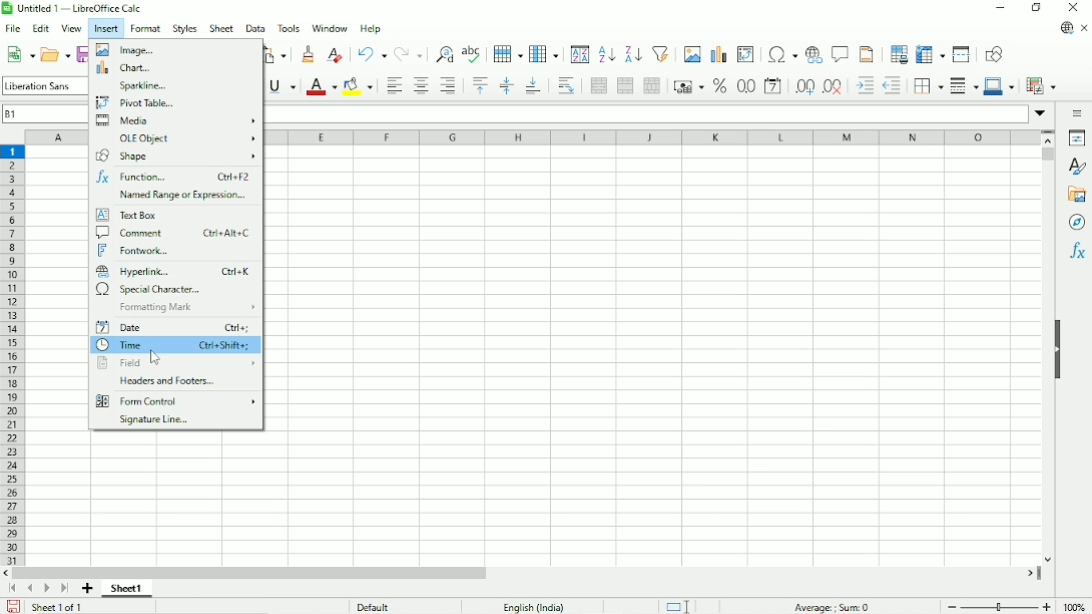 This screenshot has width=1092, height=614. I want to click on Styles, so click(185, 28).